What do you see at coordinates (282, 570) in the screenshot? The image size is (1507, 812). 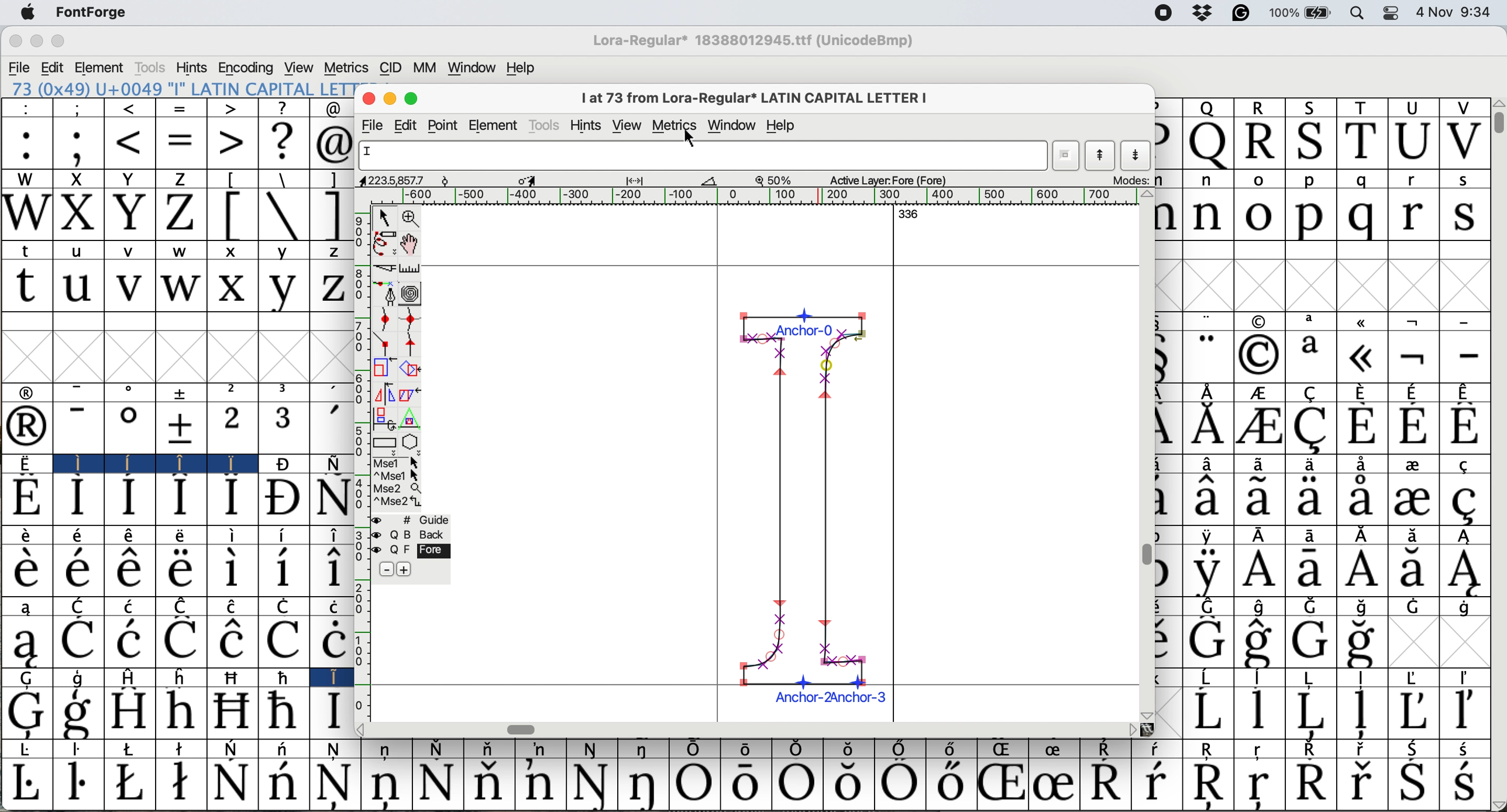 I see `Symbol` at bounding box center [282, 570].